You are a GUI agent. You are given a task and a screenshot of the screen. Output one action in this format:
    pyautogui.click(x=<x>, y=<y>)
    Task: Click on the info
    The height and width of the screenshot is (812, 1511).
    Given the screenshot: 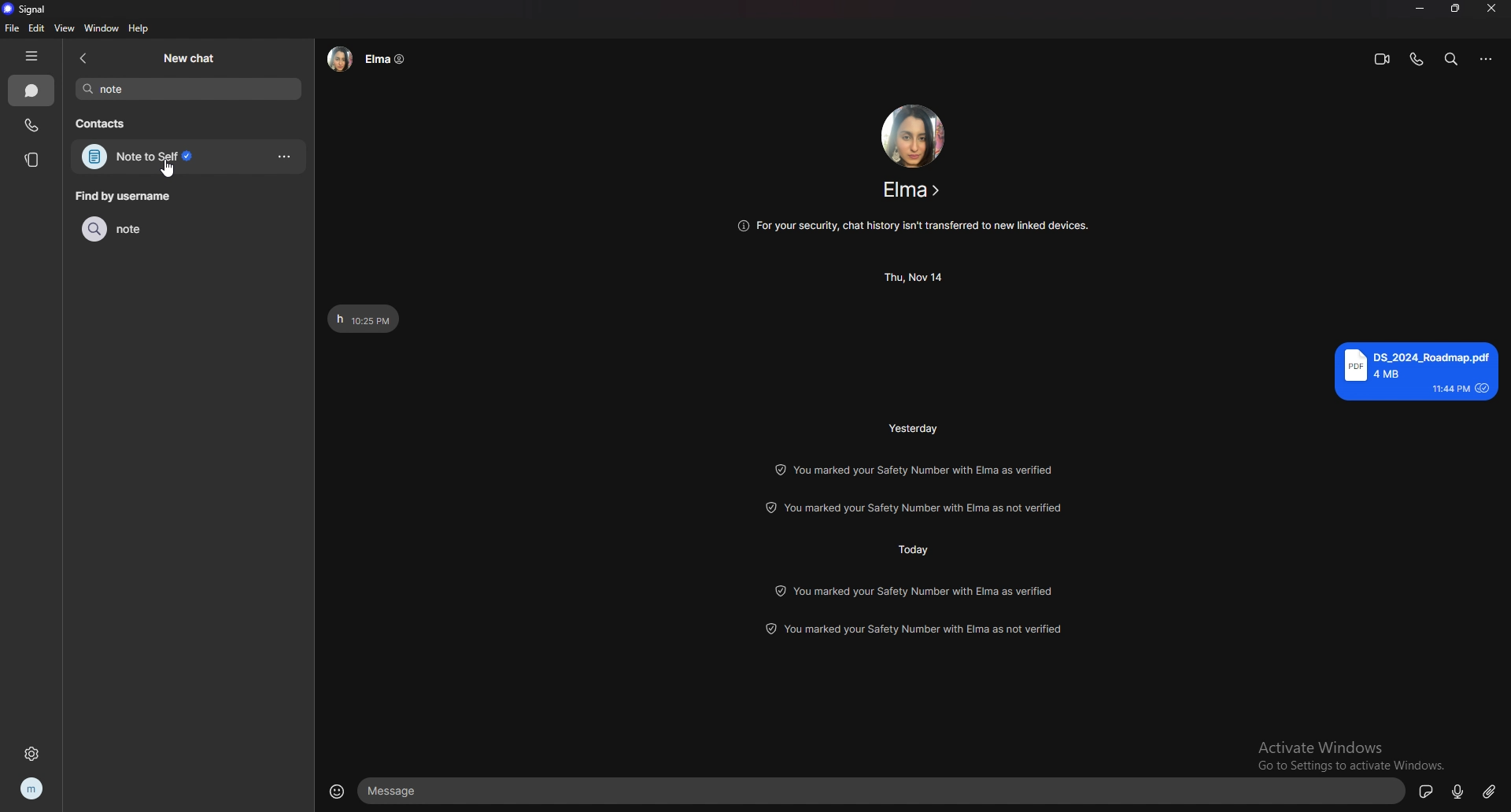 What is the action you would take?
    pyautogui.click(x=912, y=226)
    